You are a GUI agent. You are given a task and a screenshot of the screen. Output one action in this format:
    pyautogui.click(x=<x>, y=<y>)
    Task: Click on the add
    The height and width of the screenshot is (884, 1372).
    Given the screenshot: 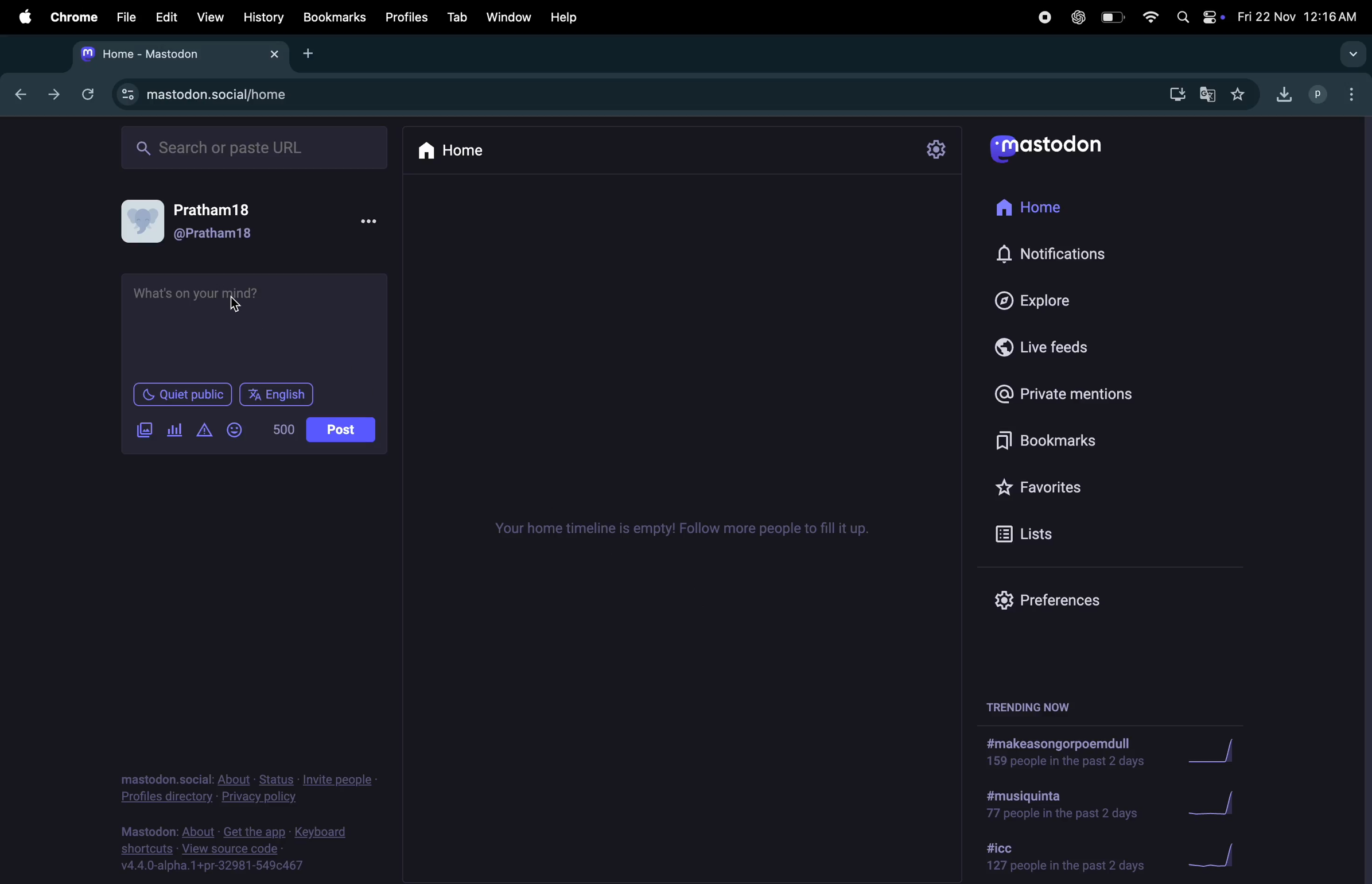 What is the action you would take?
    pyautogui.click(x=308, y=55)
    